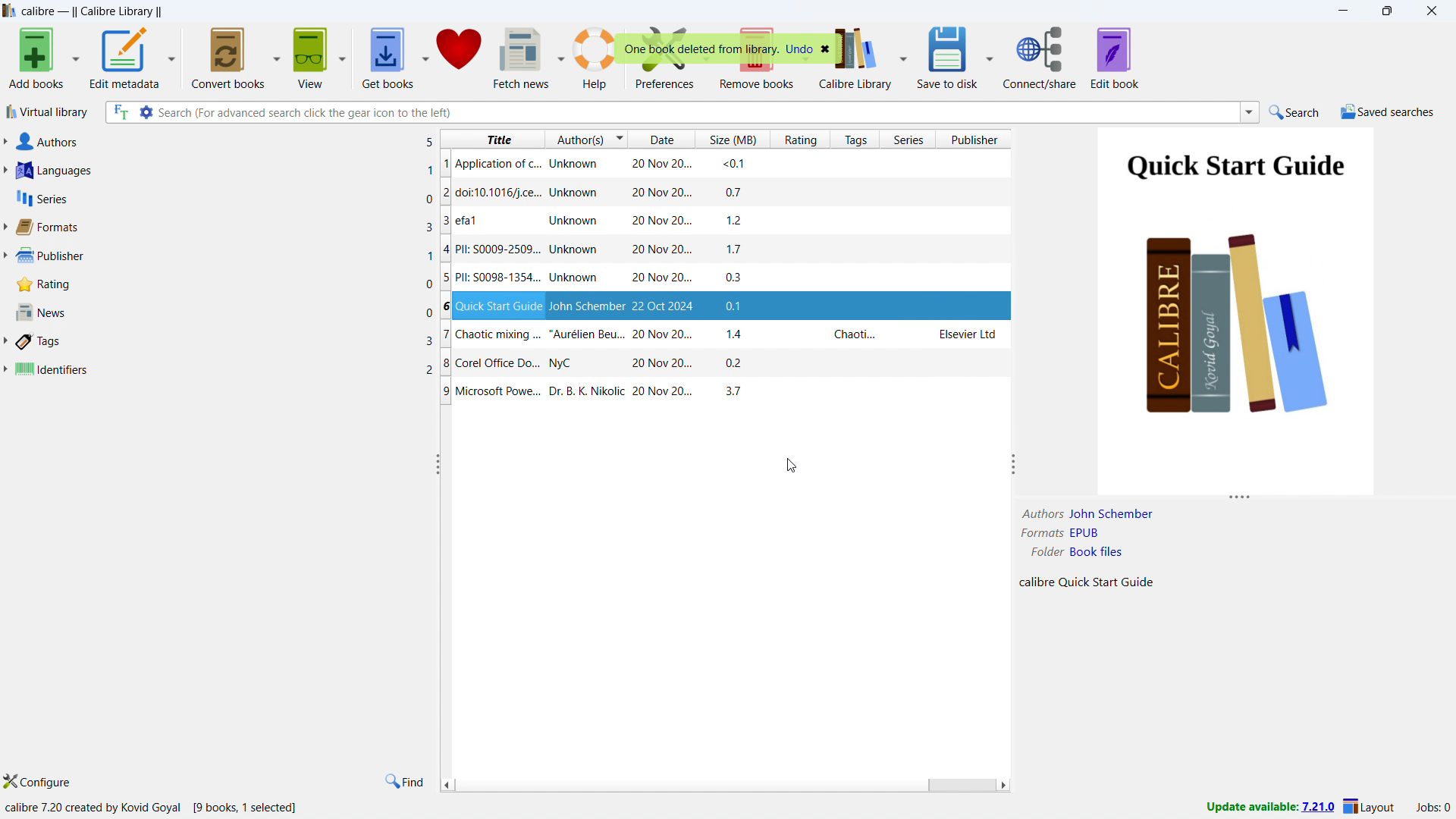 The width and height of the screenshot is (1456, 819). What do you see at coordinates (146, 112) in the screenshot?
I see `advanced search` at bounding box center [146, 112].